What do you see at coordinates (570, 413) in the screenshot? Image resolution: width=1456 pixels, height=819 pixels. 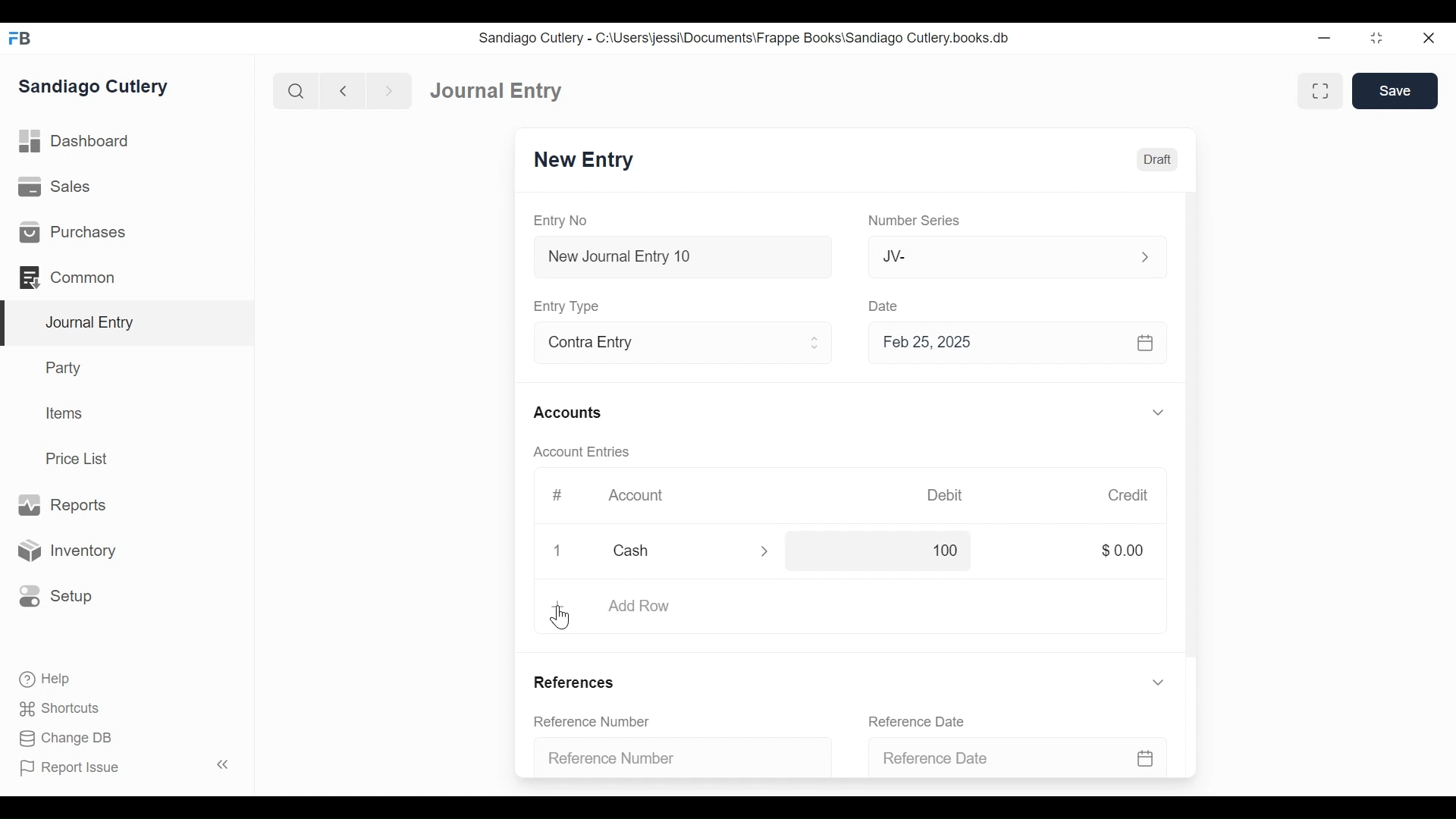 I see `Accounts` at bounding box center [570, 413].